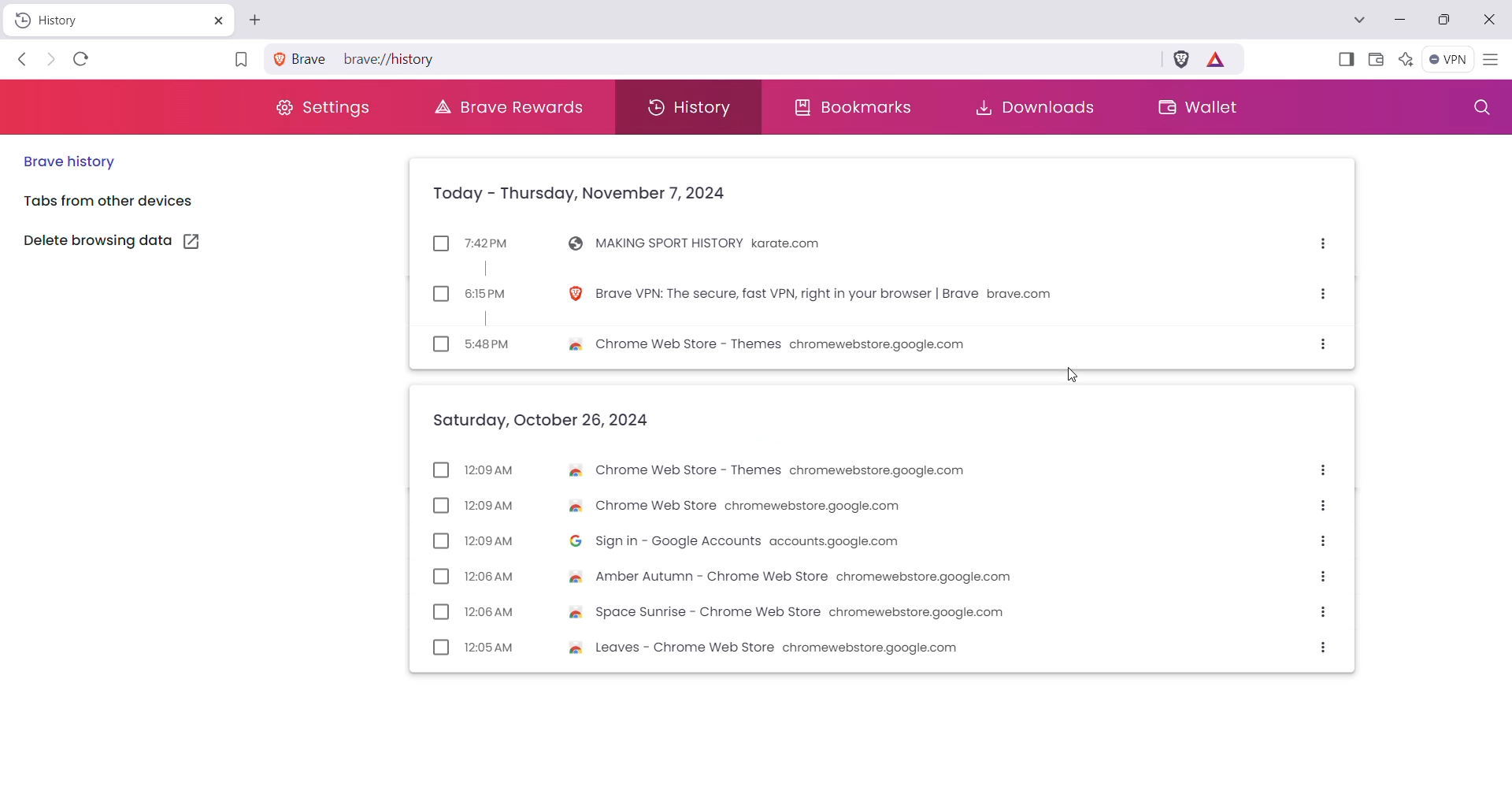 This screenshot has height=802, width=1512. Describe the element at coordinates (774, 468) in the screenshot. I see `Chrome Web Store - Themes chromewebstore.google.com` at that location.